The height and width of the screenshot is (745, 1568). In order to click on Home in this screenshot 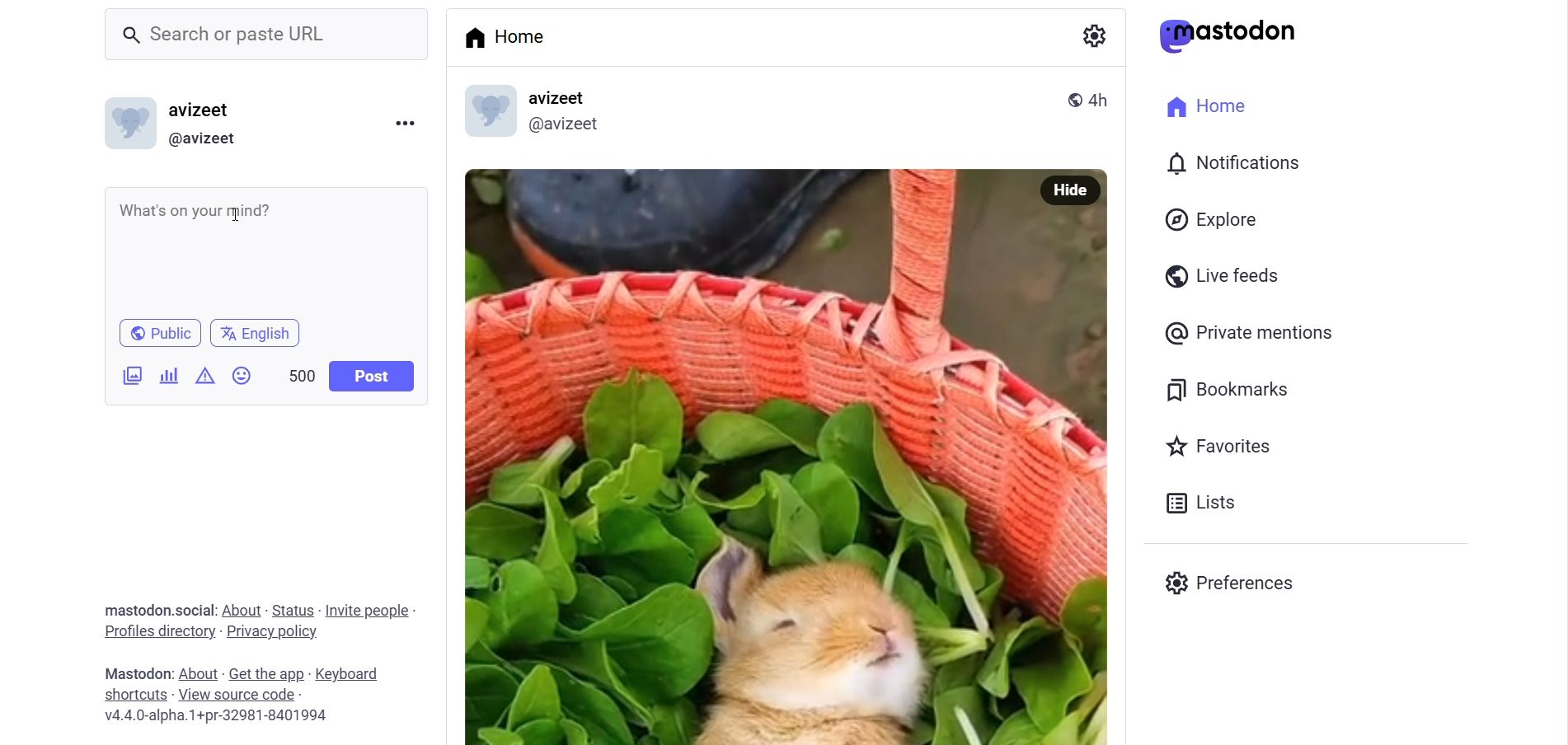, I will do `click(1210, 105)`.